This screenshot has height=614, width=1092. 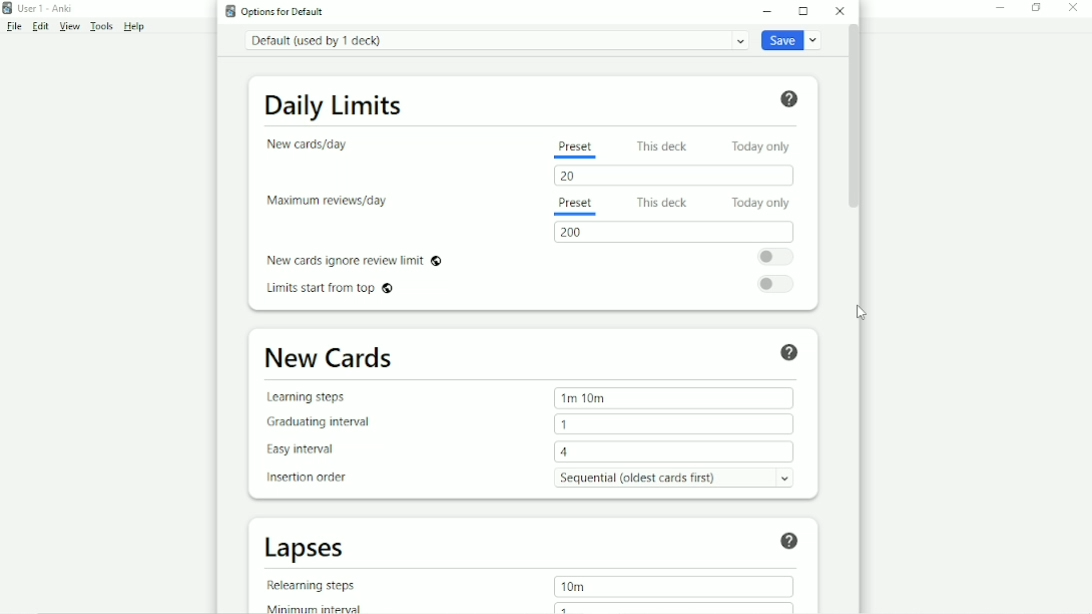 What do you see at coordinates (307, 549) in the screenshot?
I see `Lapses` at bounding box center [307, 549].